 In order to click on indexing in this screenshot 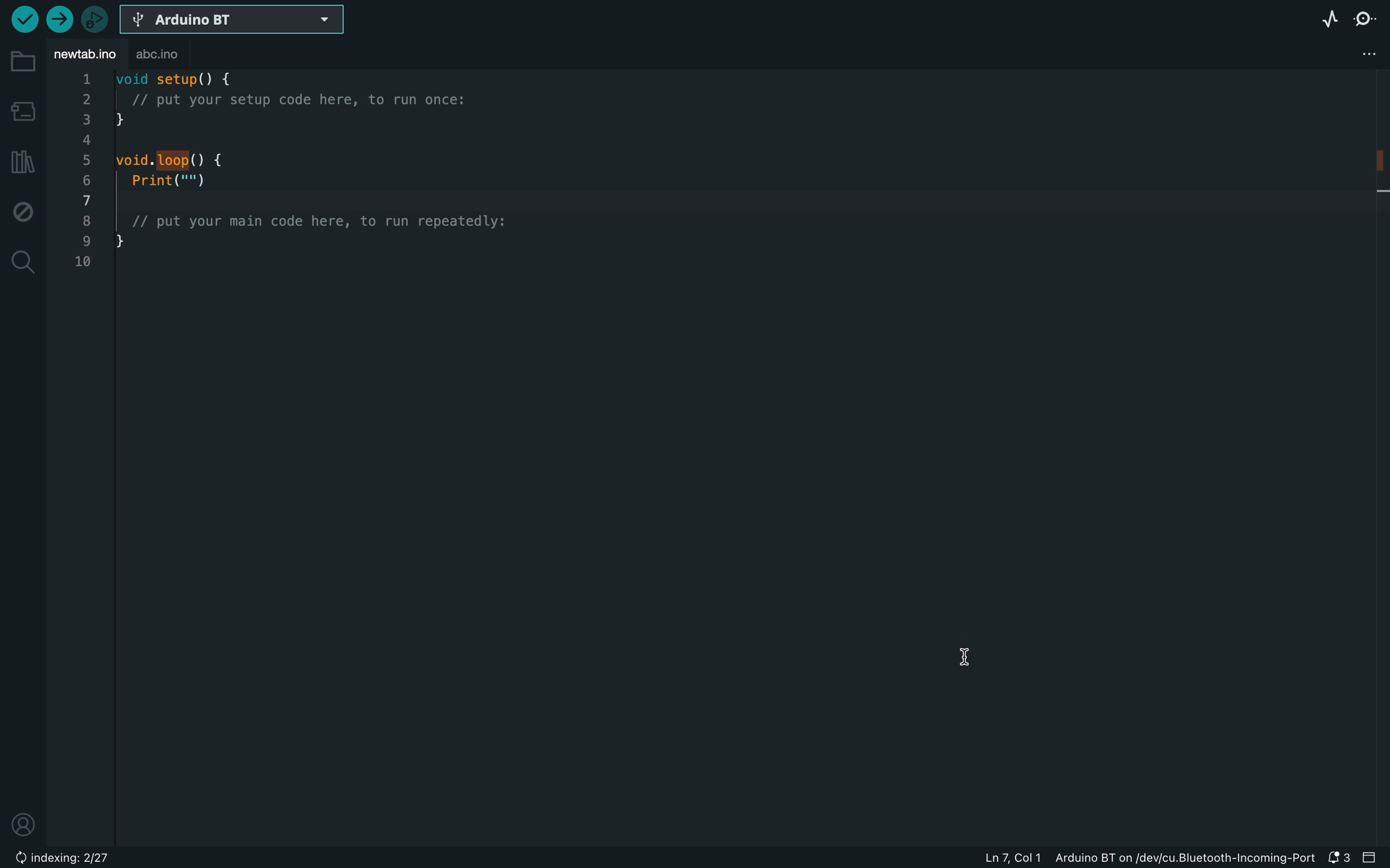, I will do `click(61, 859)`.